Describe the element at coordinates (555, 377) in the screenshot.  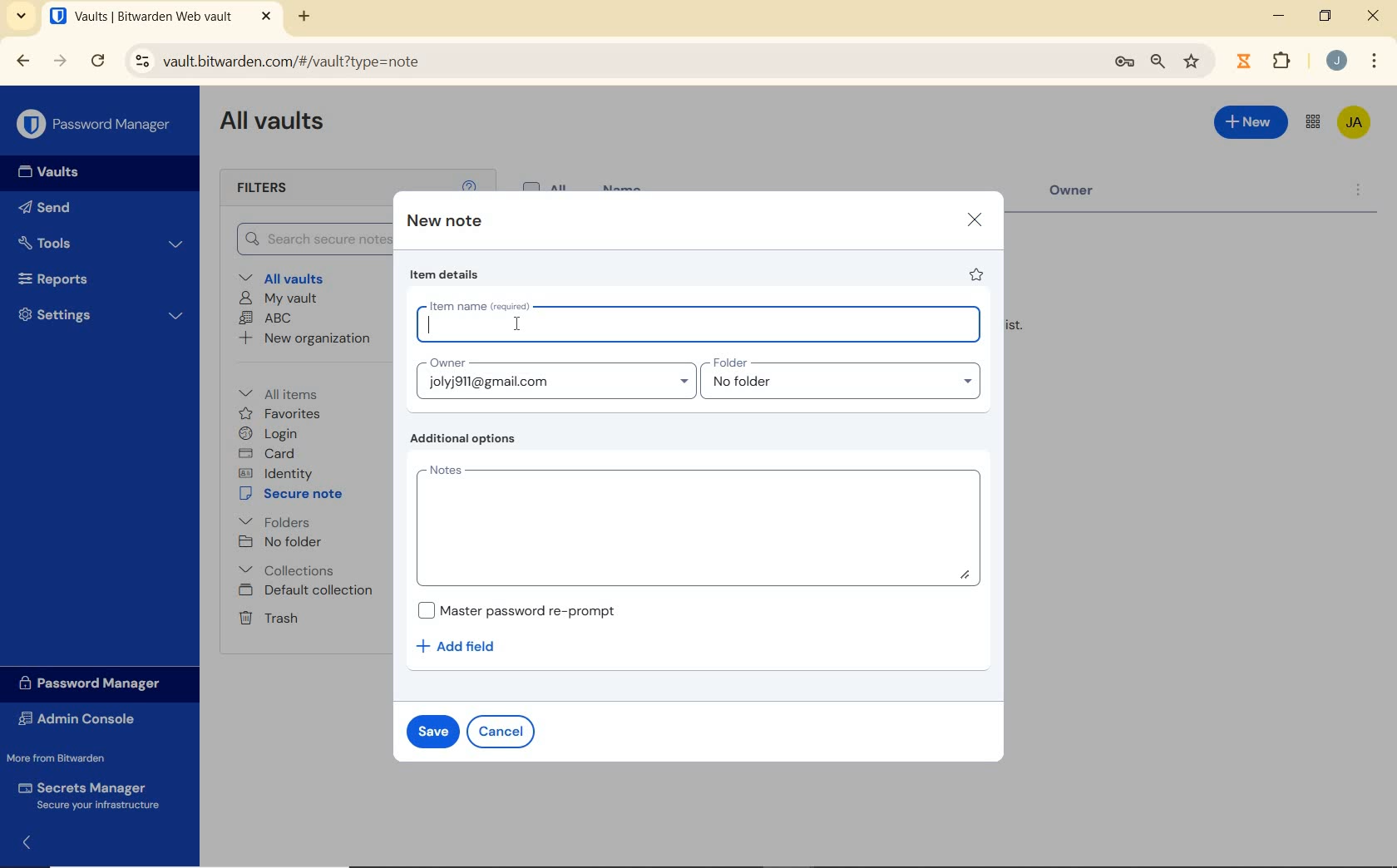
I see `Owner` at that location.